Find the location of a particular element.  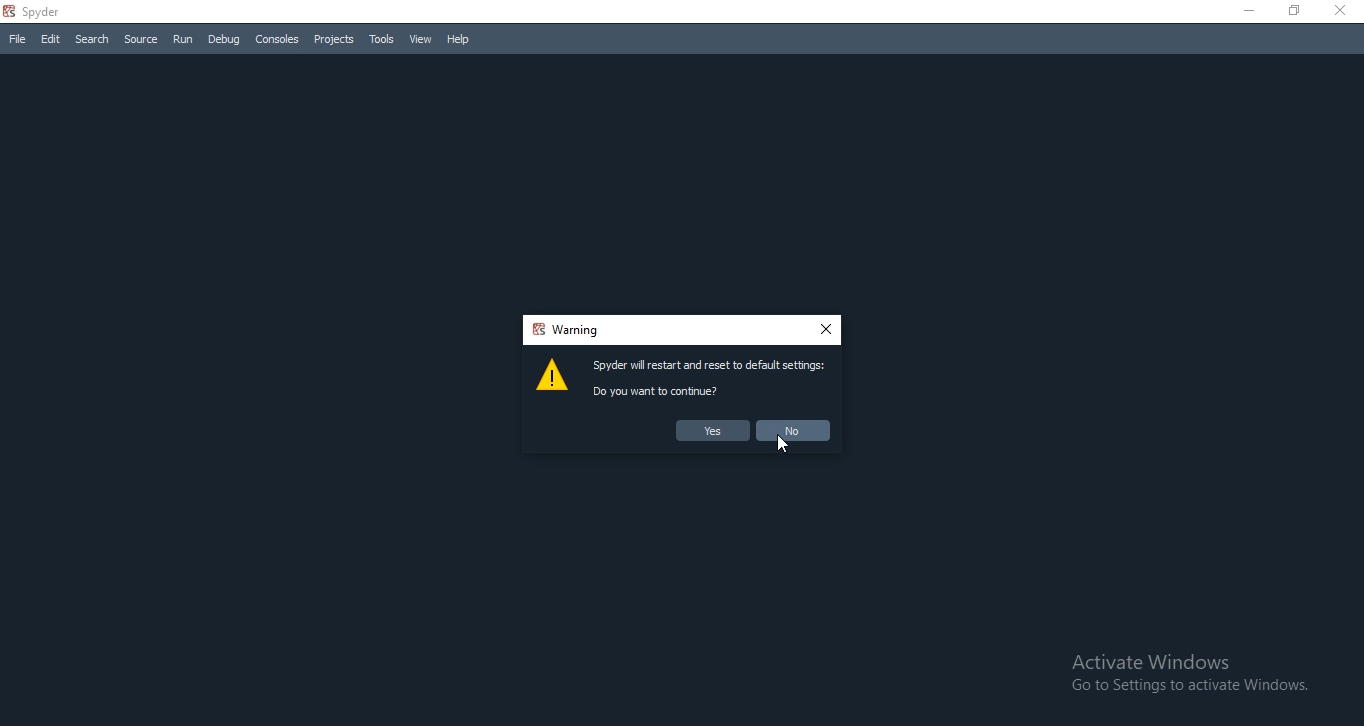

cursor is located at coordinates (786, 450).